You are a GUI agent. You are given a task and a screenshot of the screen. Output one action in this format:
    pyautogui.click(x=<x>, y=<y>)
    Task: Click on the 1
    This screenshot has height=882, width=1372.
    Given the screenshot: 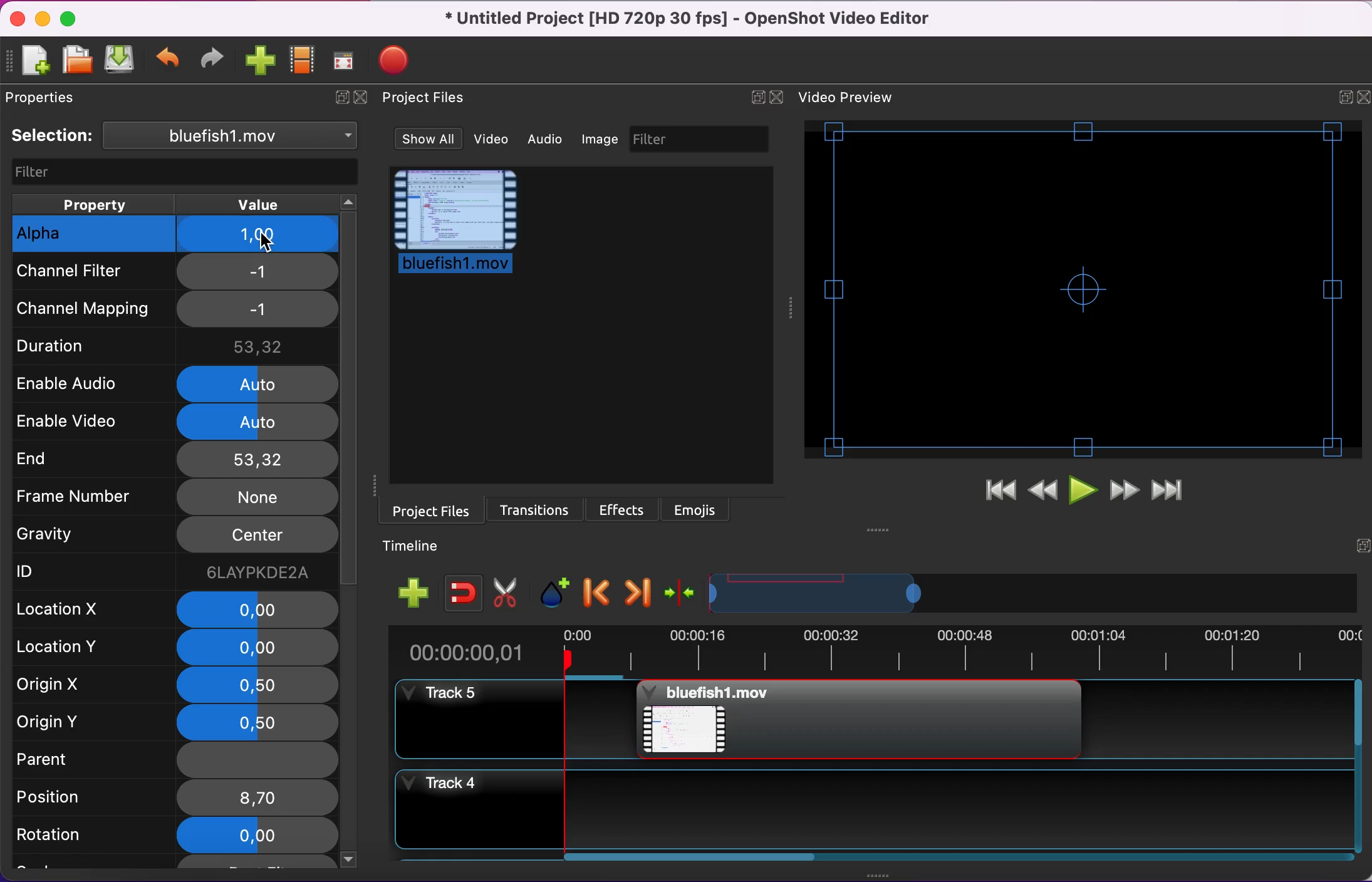 What is the action you would take?
    pyautogui.click(x=260, y=236)
    